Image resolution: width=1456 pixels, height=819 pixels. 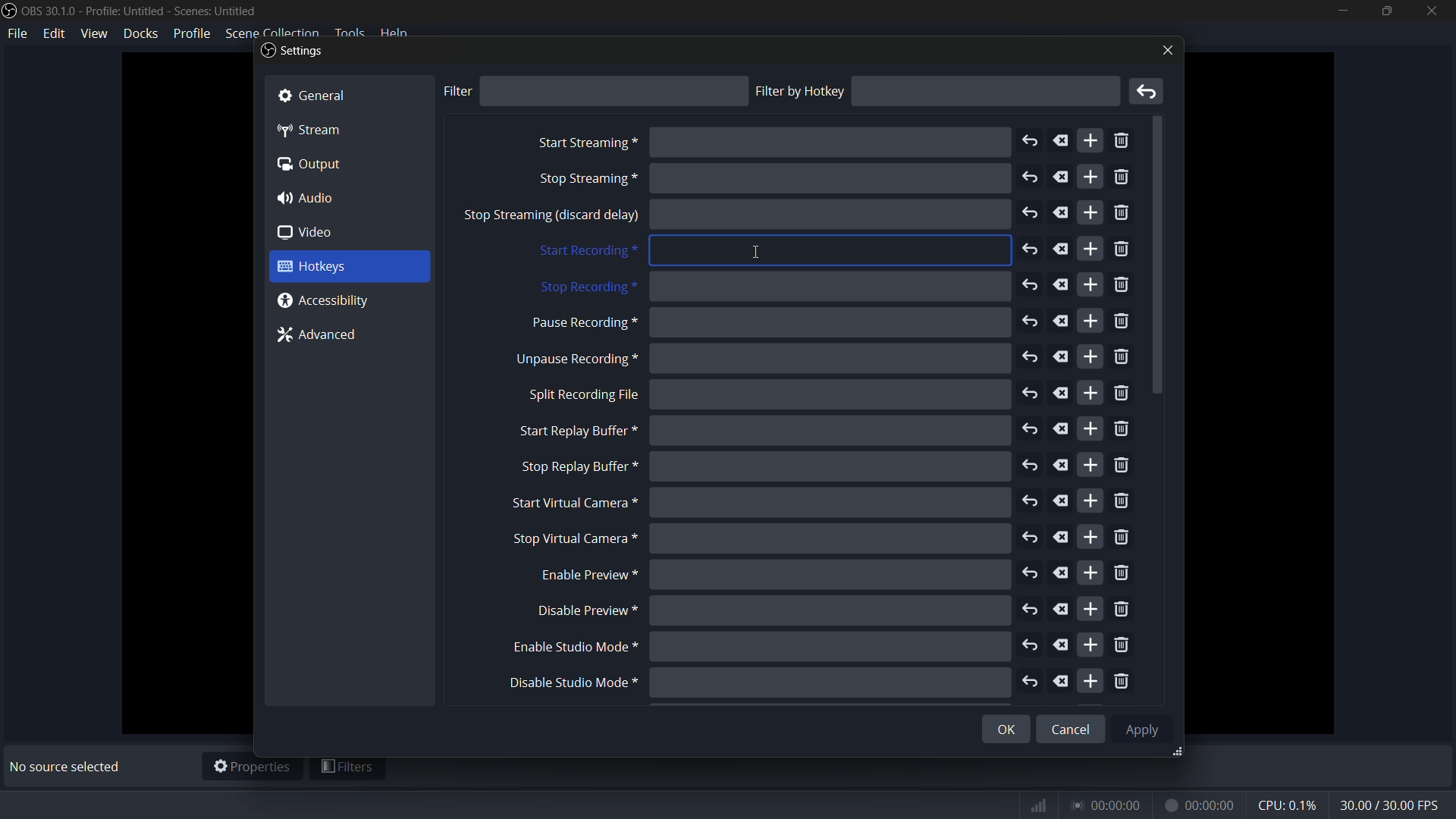 What do you see at coordinates (1062, 610) in the screenshot?
I see `delete` at bounding box center [1062, 610].